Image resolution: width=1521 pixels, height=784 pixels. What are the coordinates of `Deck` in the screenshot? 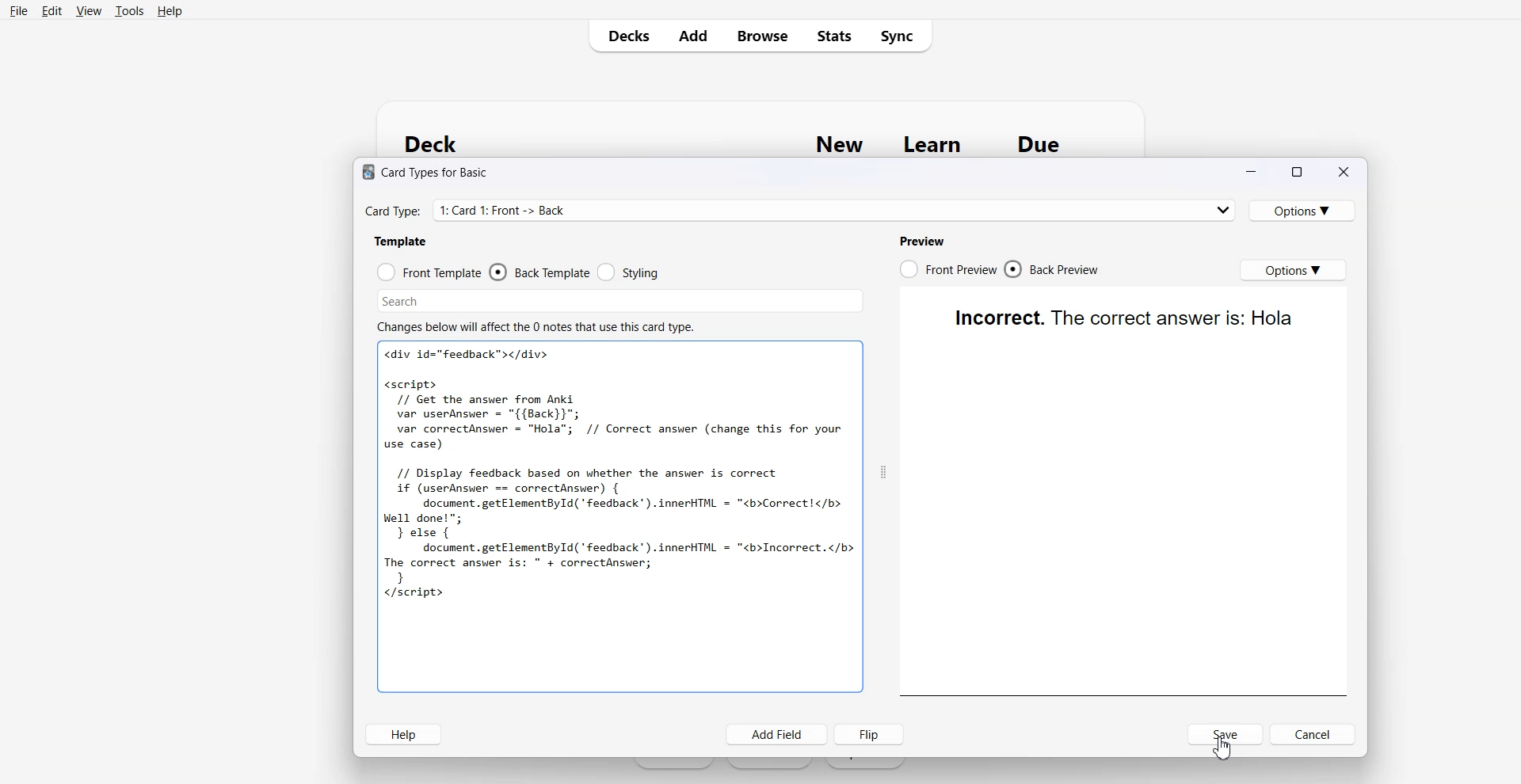 It's located at (439, 143).